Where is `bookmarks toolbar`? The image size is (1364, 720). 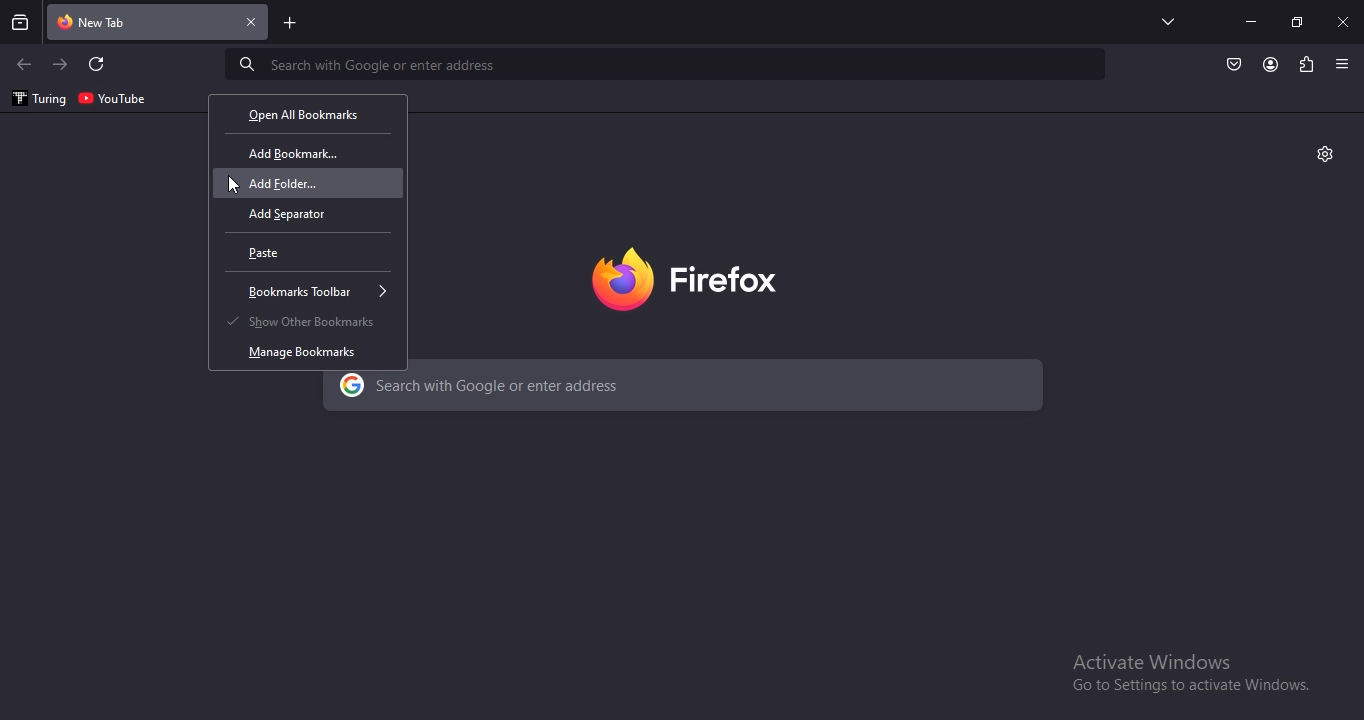
bookmarks toolbar is located at coordinates (321, 292).